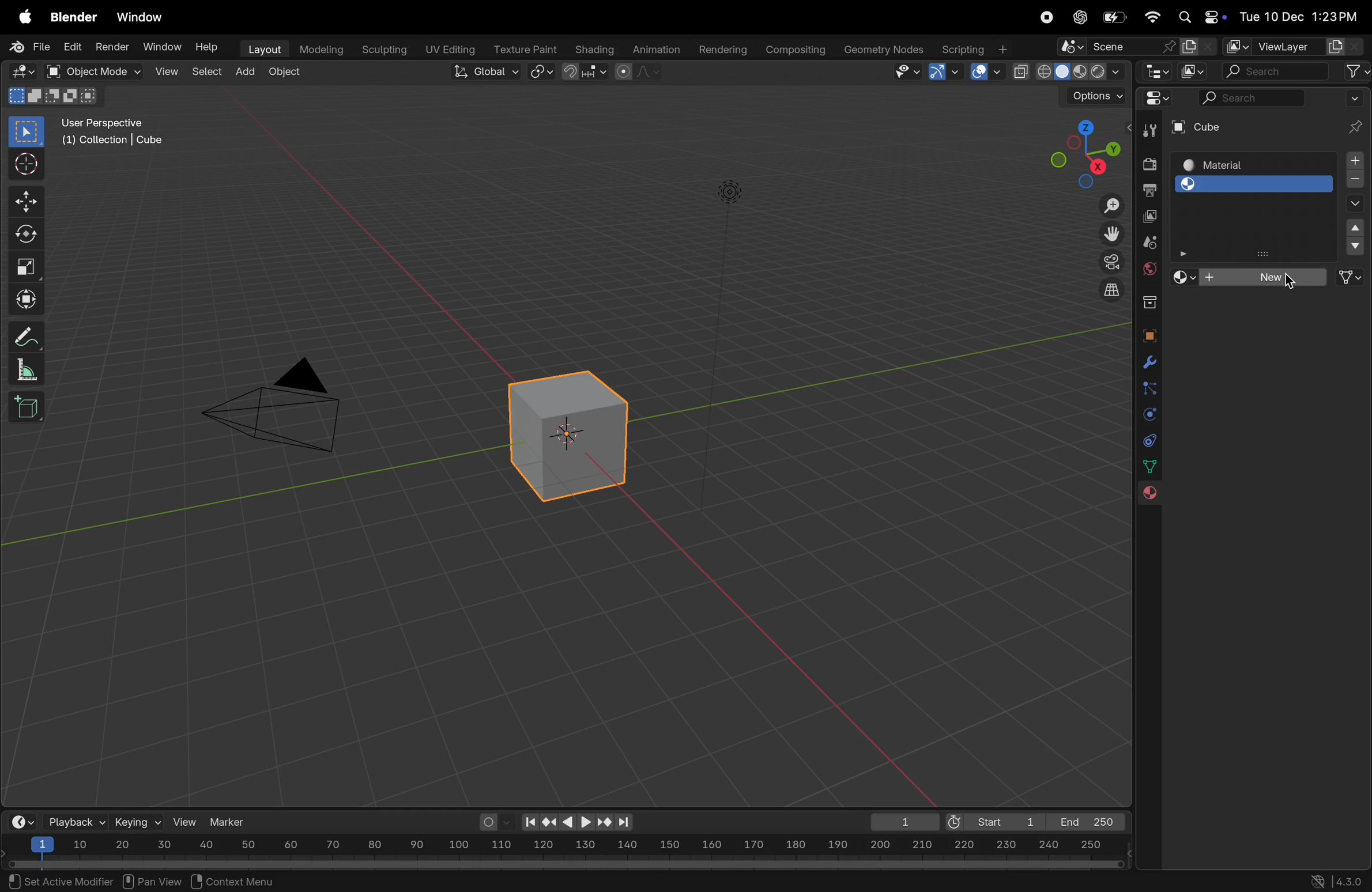  I want to click on orthographic view, so click(1113, 289).